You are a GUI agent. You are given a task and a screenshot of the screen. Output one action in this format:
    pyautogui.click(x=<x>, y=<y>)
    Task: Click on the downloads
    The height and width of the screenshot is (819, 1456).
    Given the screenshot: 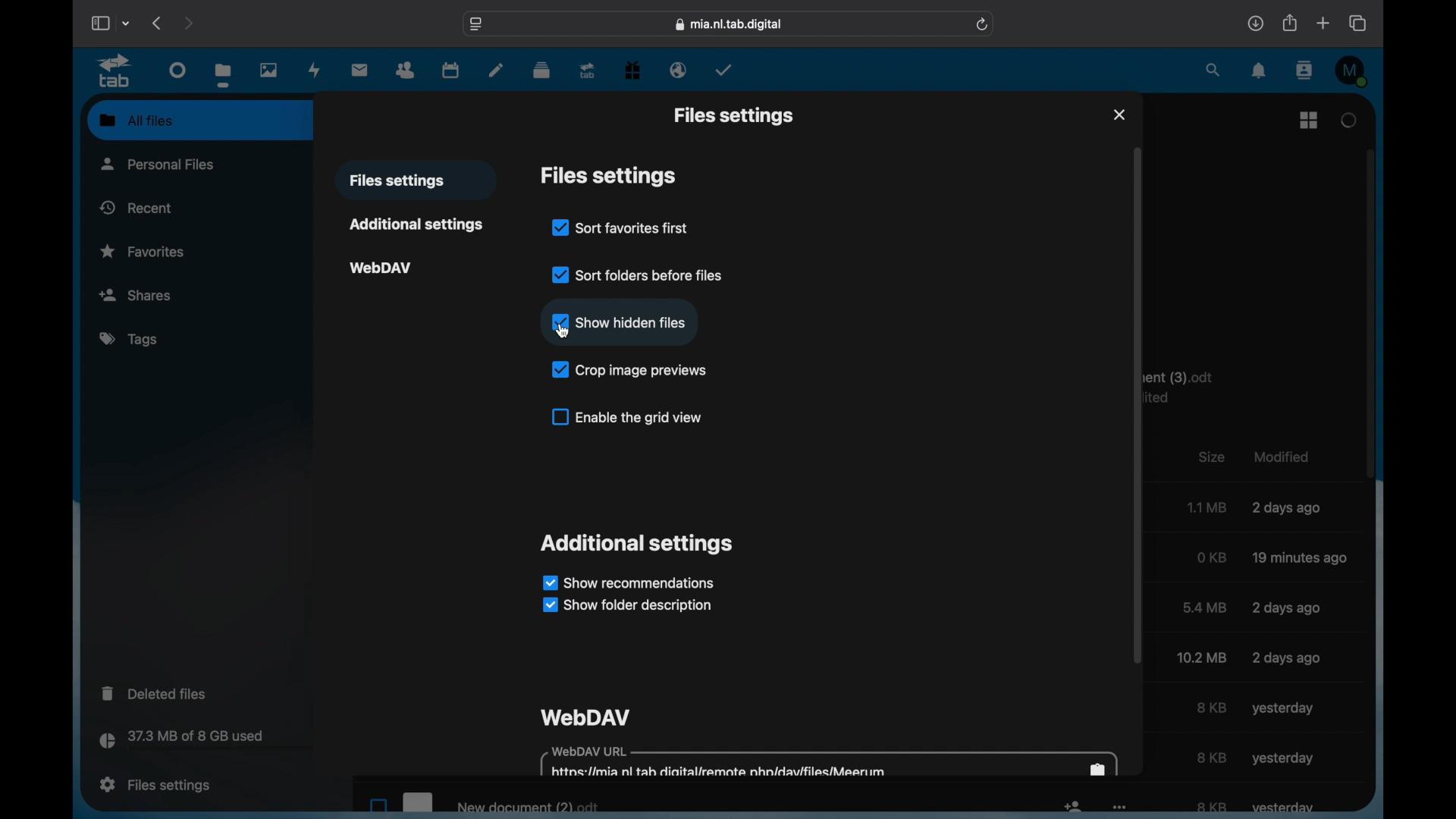 What is the action you would take?
    pyautogui.click(x=1255, y=23)
    